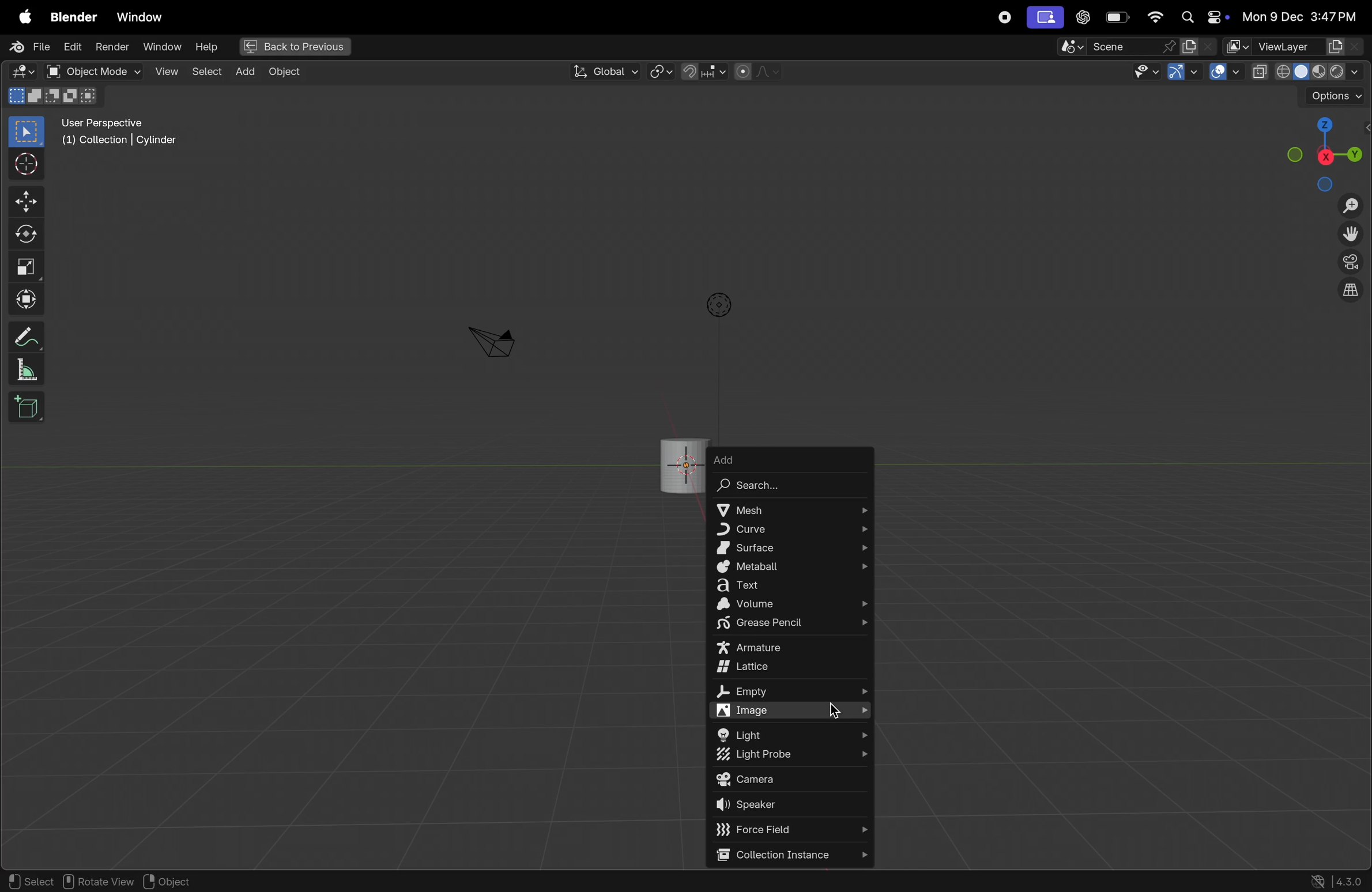 Image resolution: width=1372 pixels, height=892 pixels. I want to click on Object, so click(291, 72).